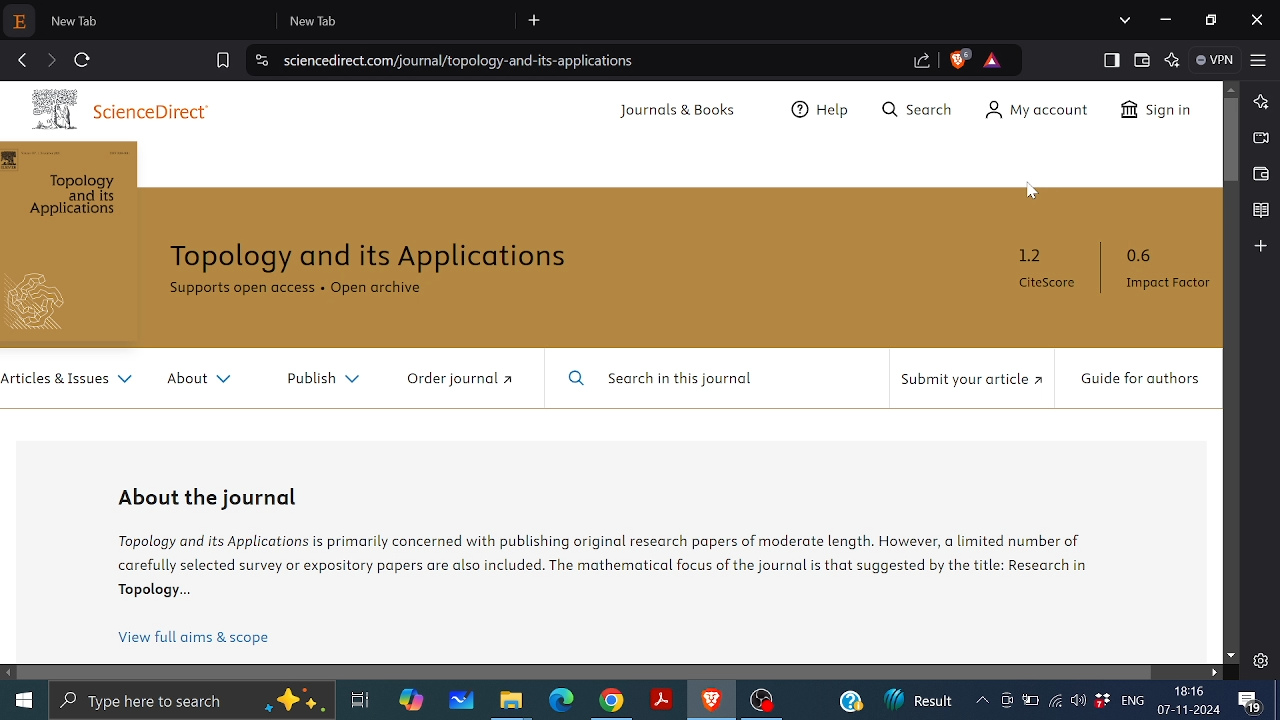 This screenshot has height=720, width=1280. I want to click on Bookmark, so click(1260, 211).